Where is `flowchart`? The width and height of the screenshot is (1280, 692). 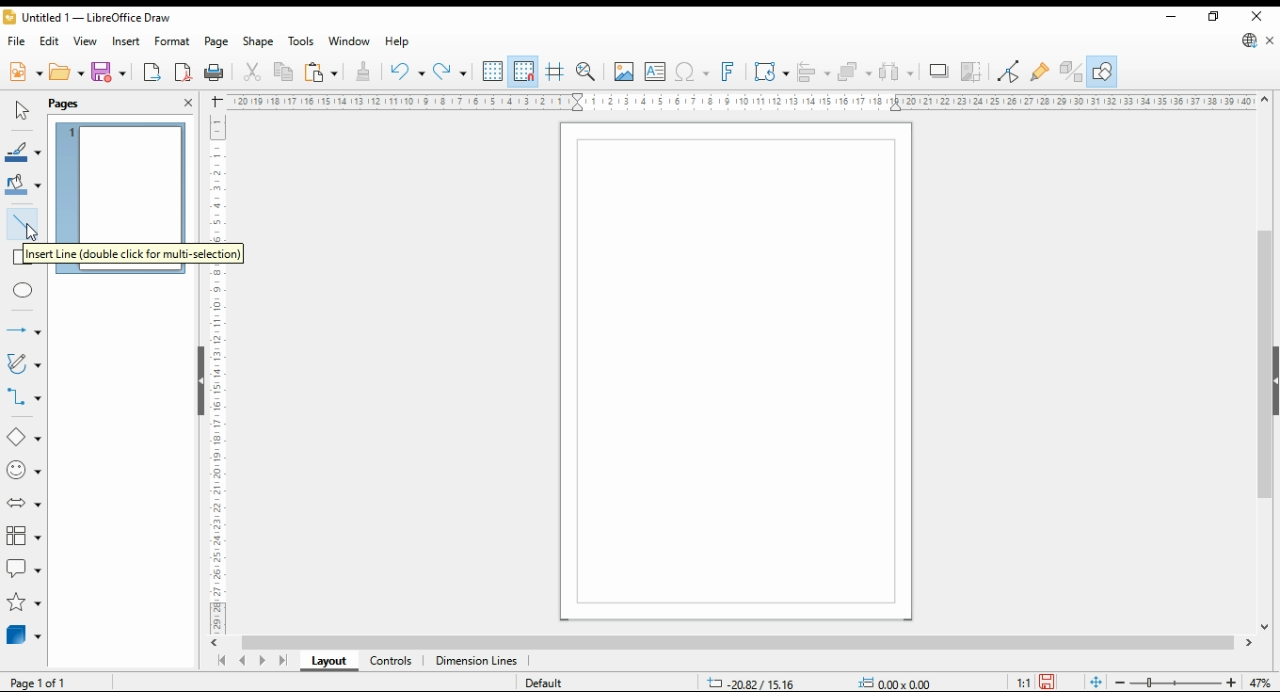
flowchart is located at coordinates (24, 537).